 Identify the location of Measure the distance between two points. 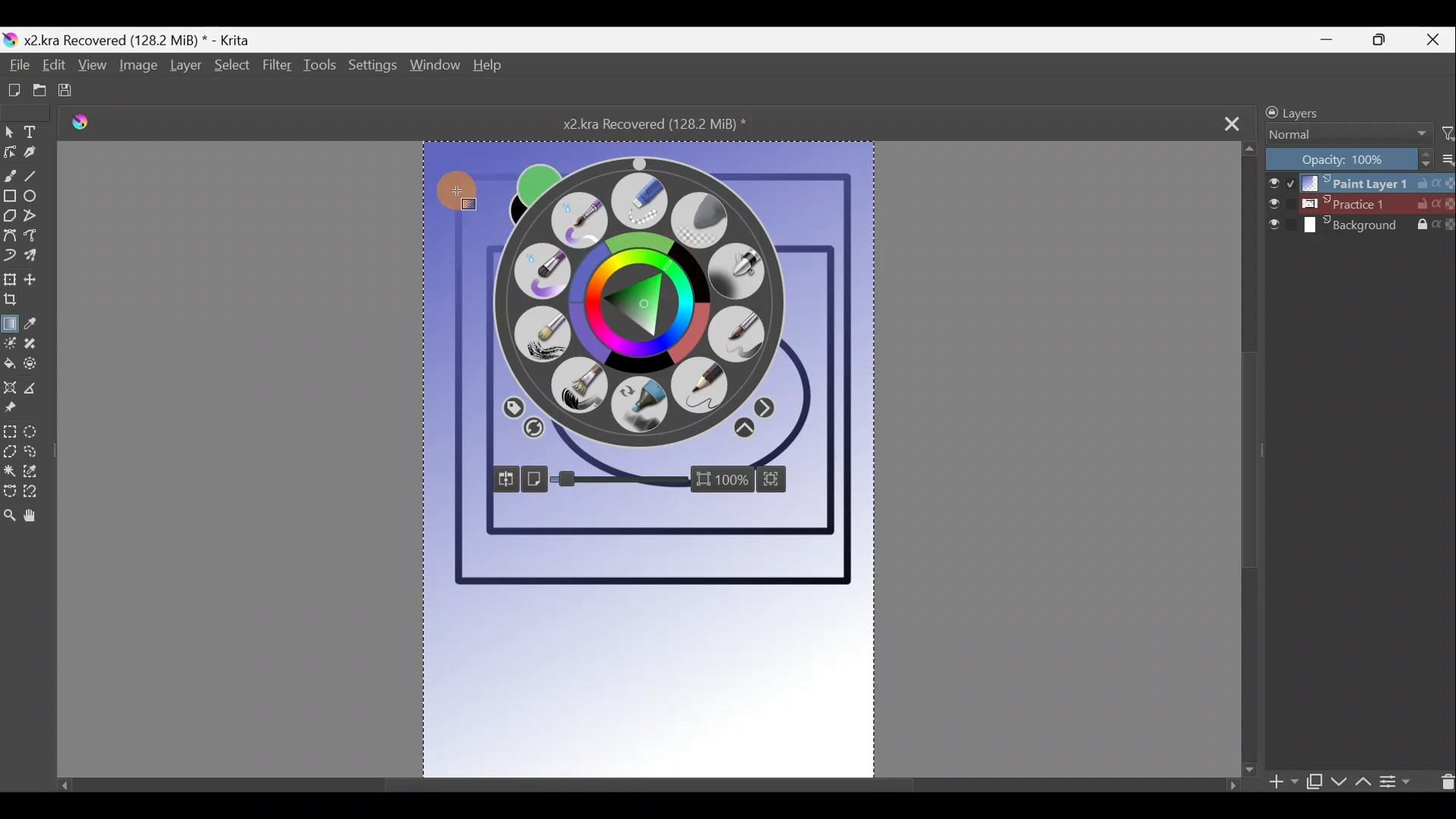
(37, 393).